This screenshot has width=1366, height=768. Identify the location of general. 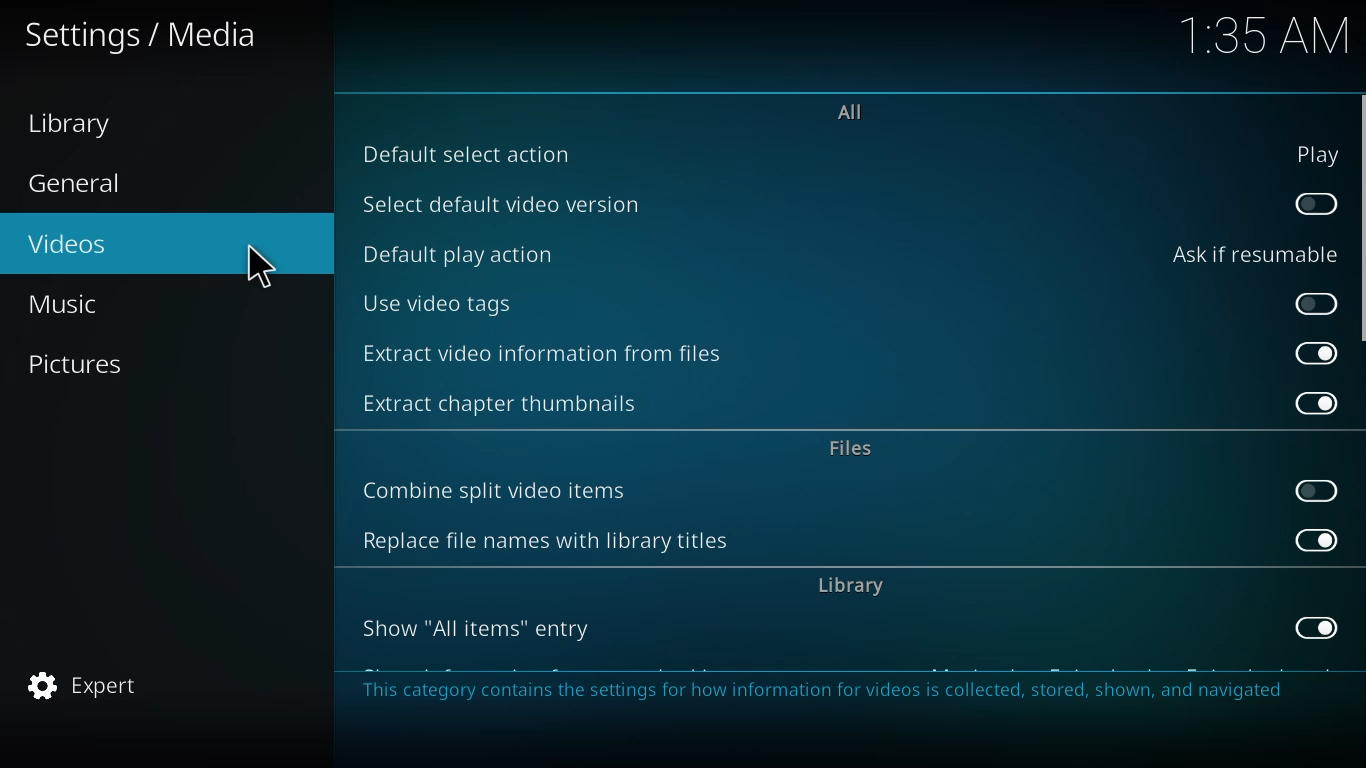
(79, 184).